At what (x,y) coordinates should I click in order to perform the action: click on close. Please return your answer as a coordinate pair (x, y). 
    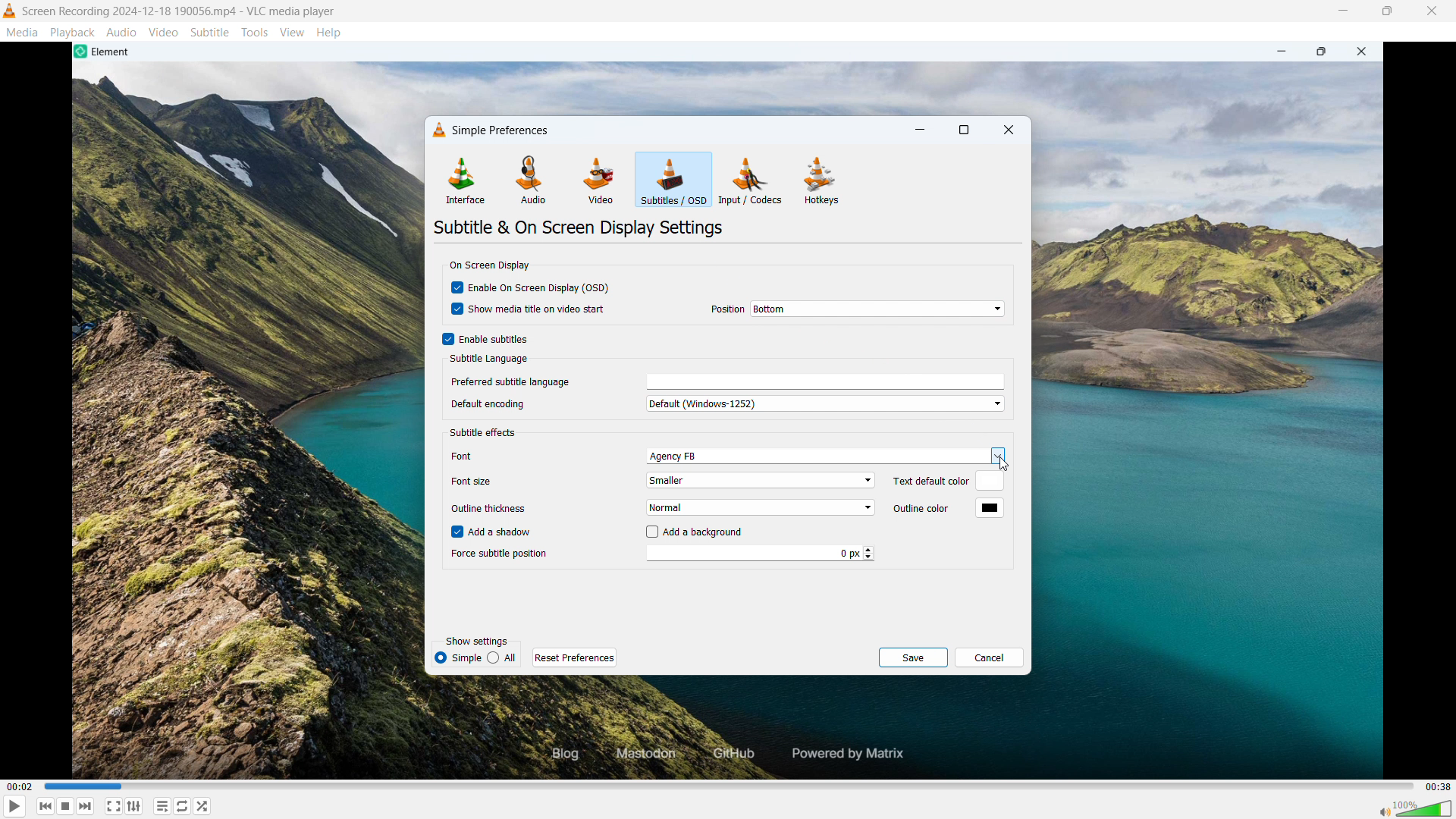
    Looking at the image, I should click on (1432, 11).